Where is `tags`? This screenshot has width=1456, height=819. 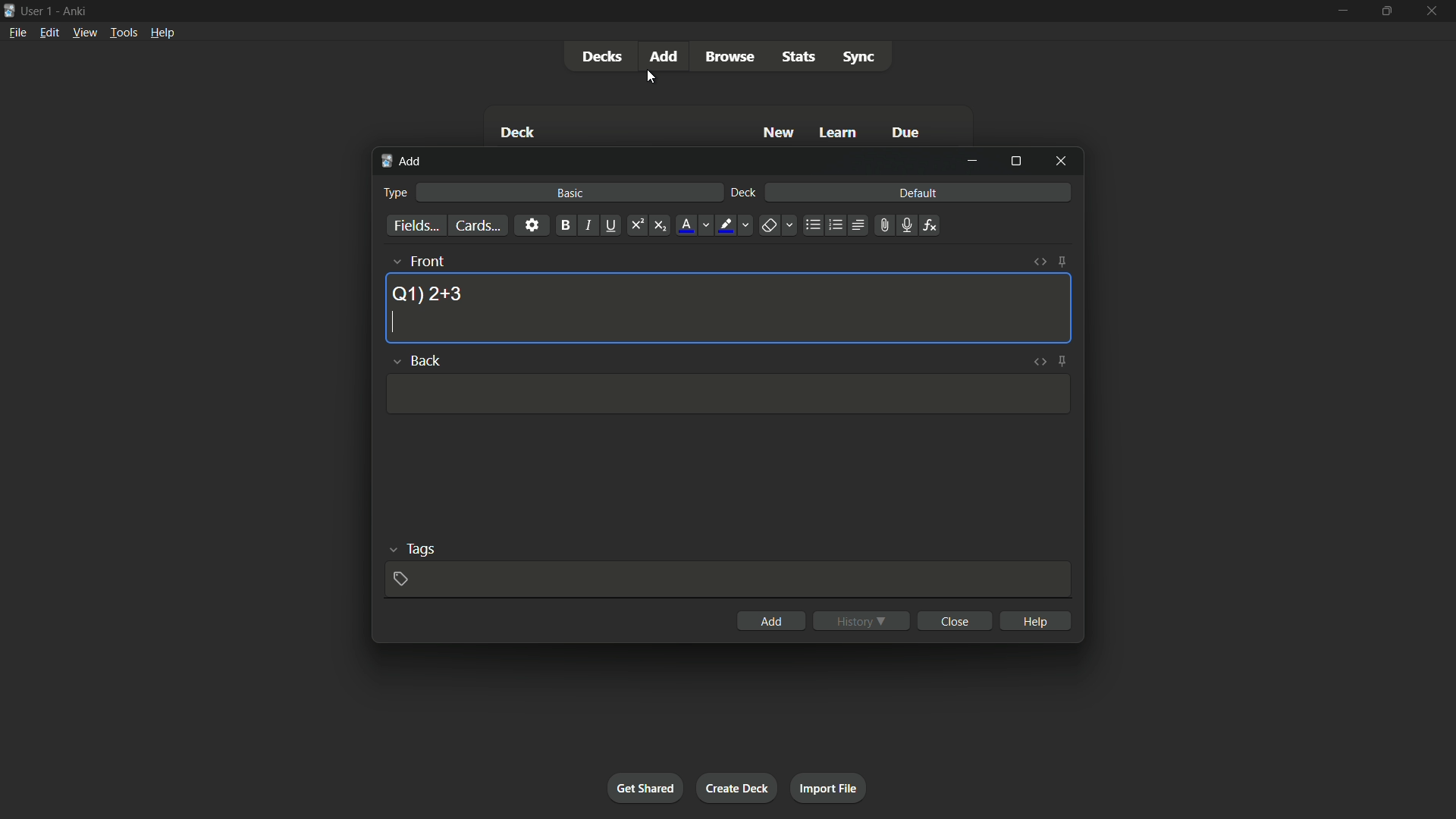
tags is located at coordinates (422, 548).